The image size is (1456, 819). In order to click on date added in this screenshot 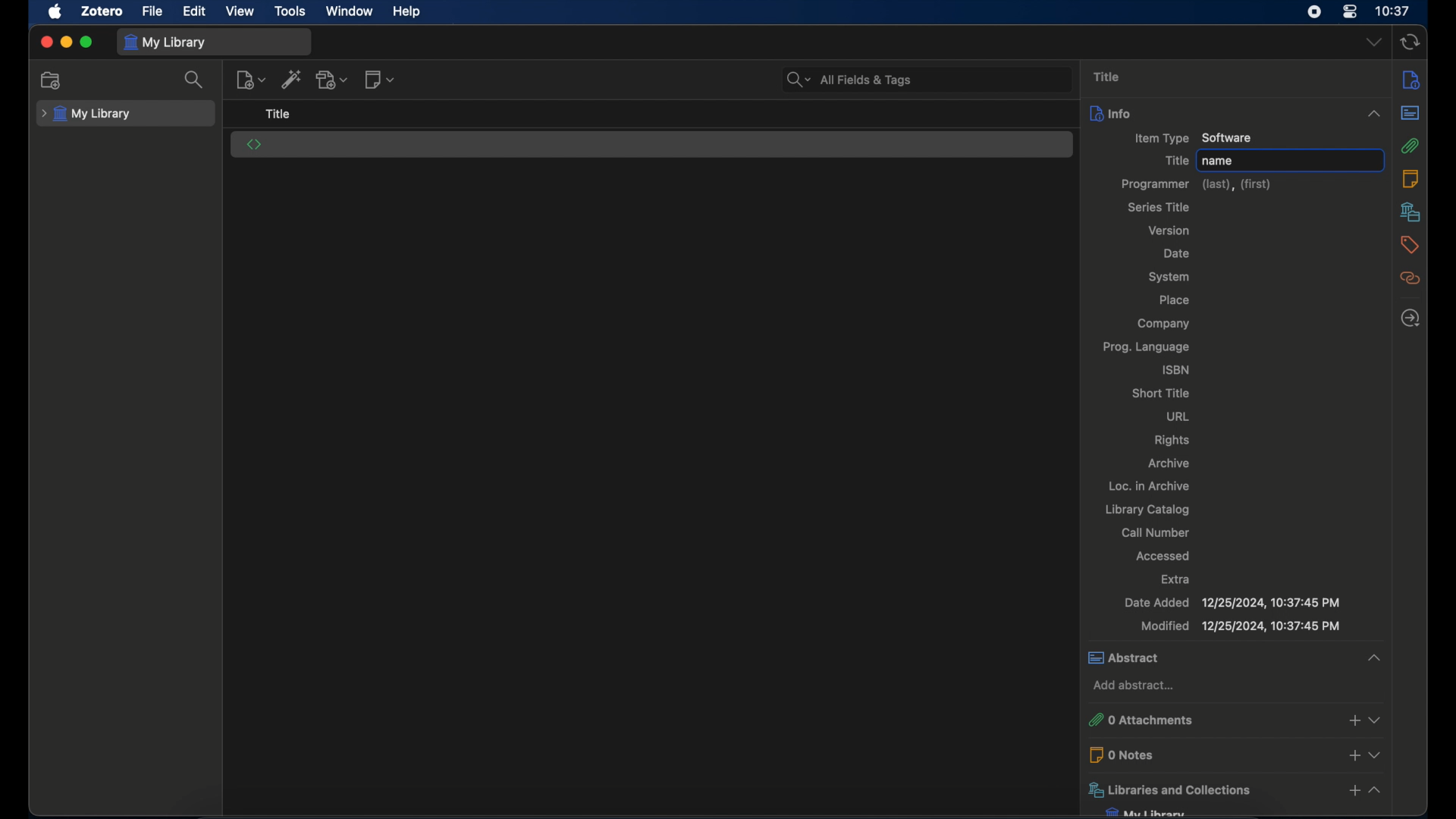, I will do `click(1230, 602)`.